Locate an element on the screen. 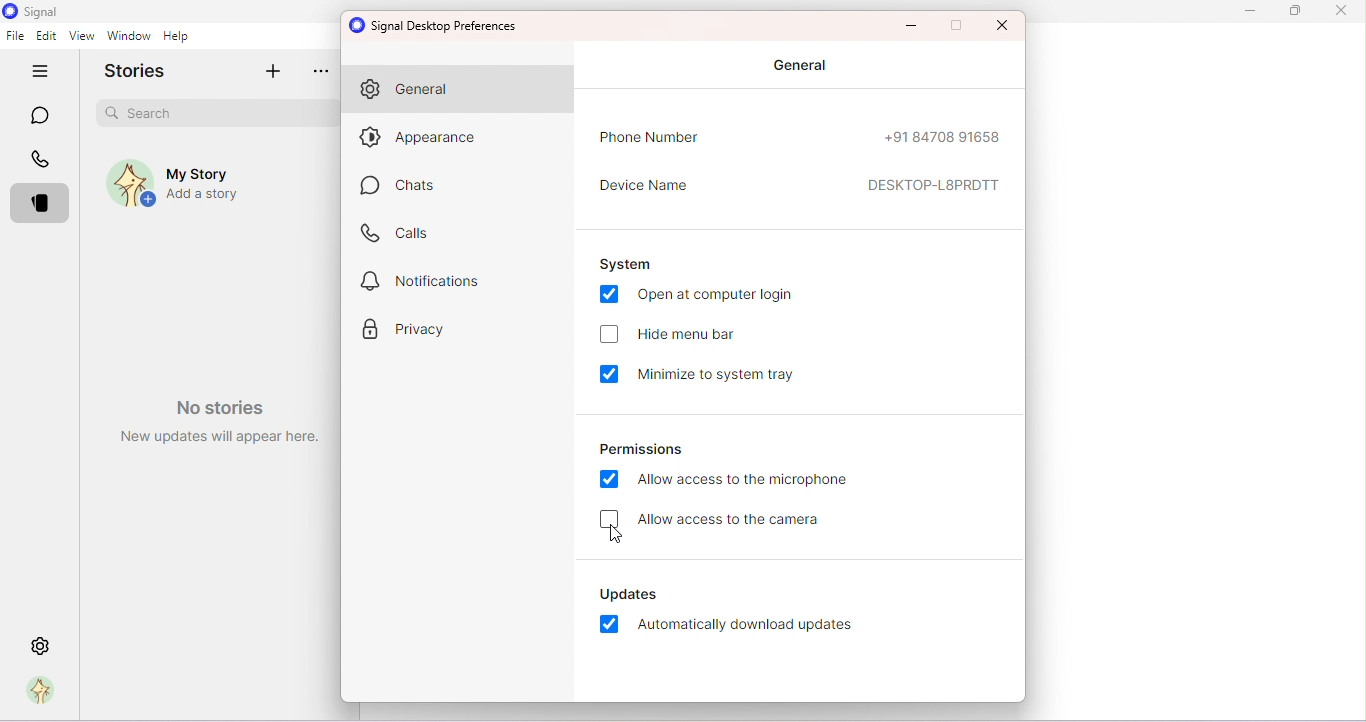 The width and height of the screenshot is (1366, 722). Calls is located at coordinates (394, 234).